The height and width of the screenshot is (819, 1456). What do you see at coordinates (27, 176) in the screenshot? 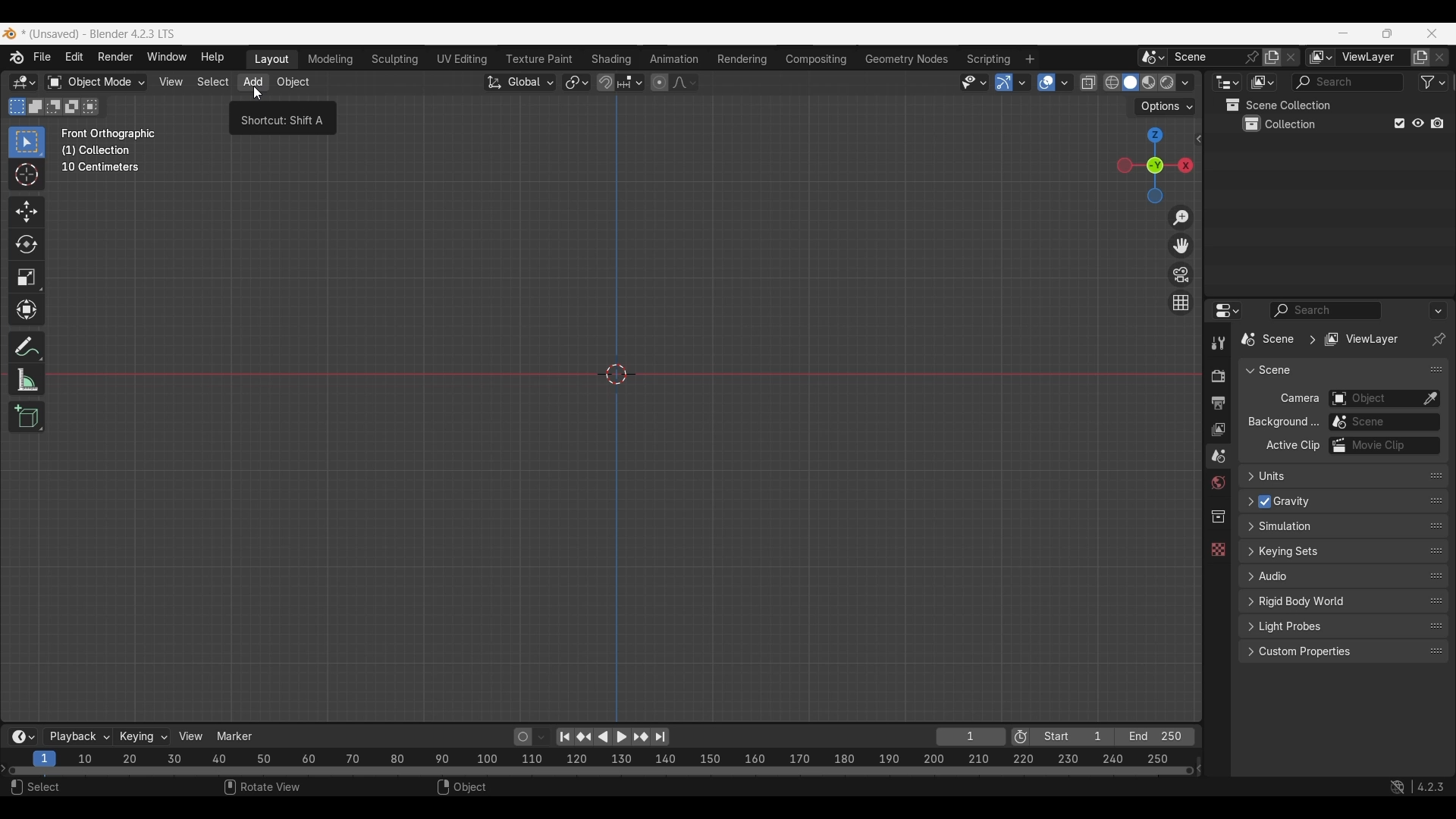
I see `Cursor` at bounding box center [27, 176].